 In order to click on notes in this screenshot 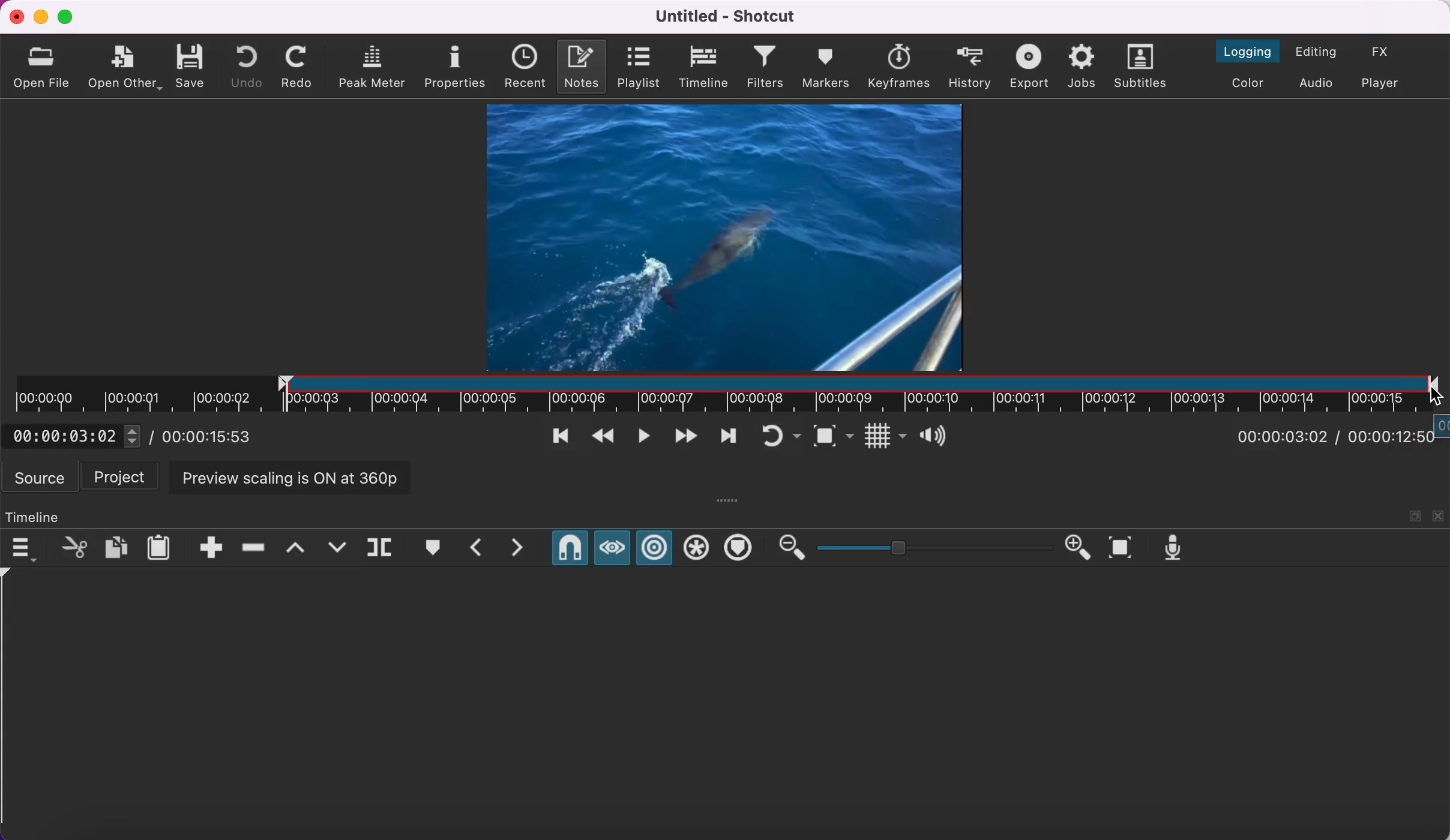, I will do `click(583, 66)`.